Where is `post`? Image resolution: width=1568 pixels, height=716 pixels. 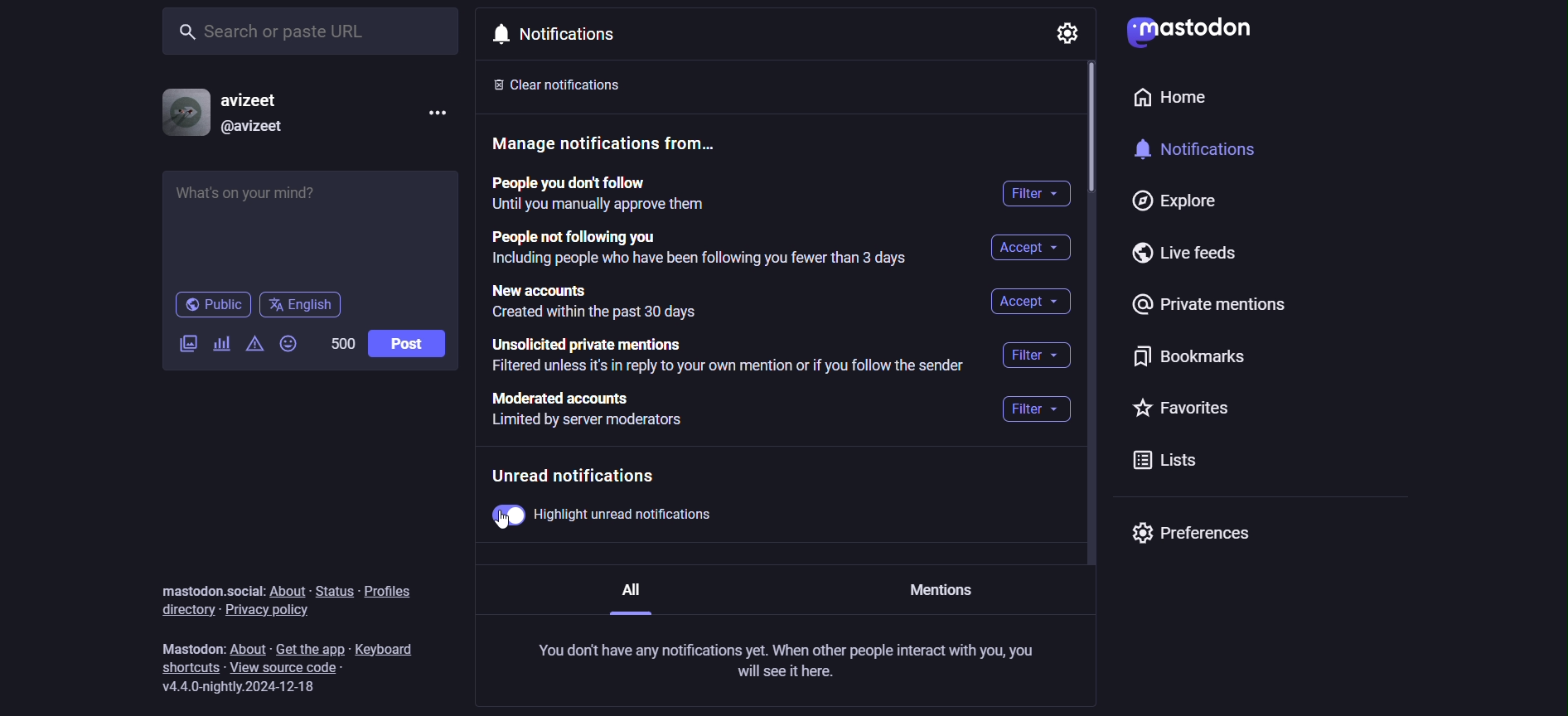 post is located at coordinates (407, 344).